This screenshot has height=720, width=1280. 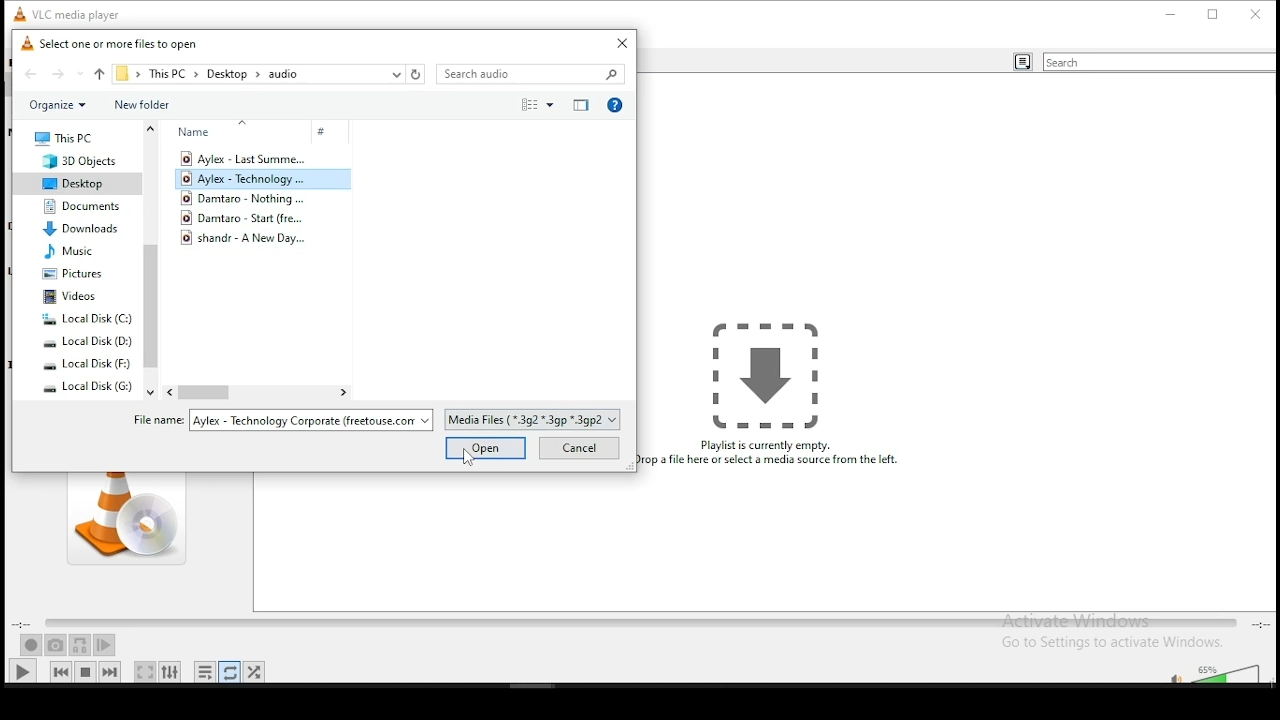 What do you see at coordinates (170, 74) in the screenshot?
I see `this PC` at bounding box center [170, 74].